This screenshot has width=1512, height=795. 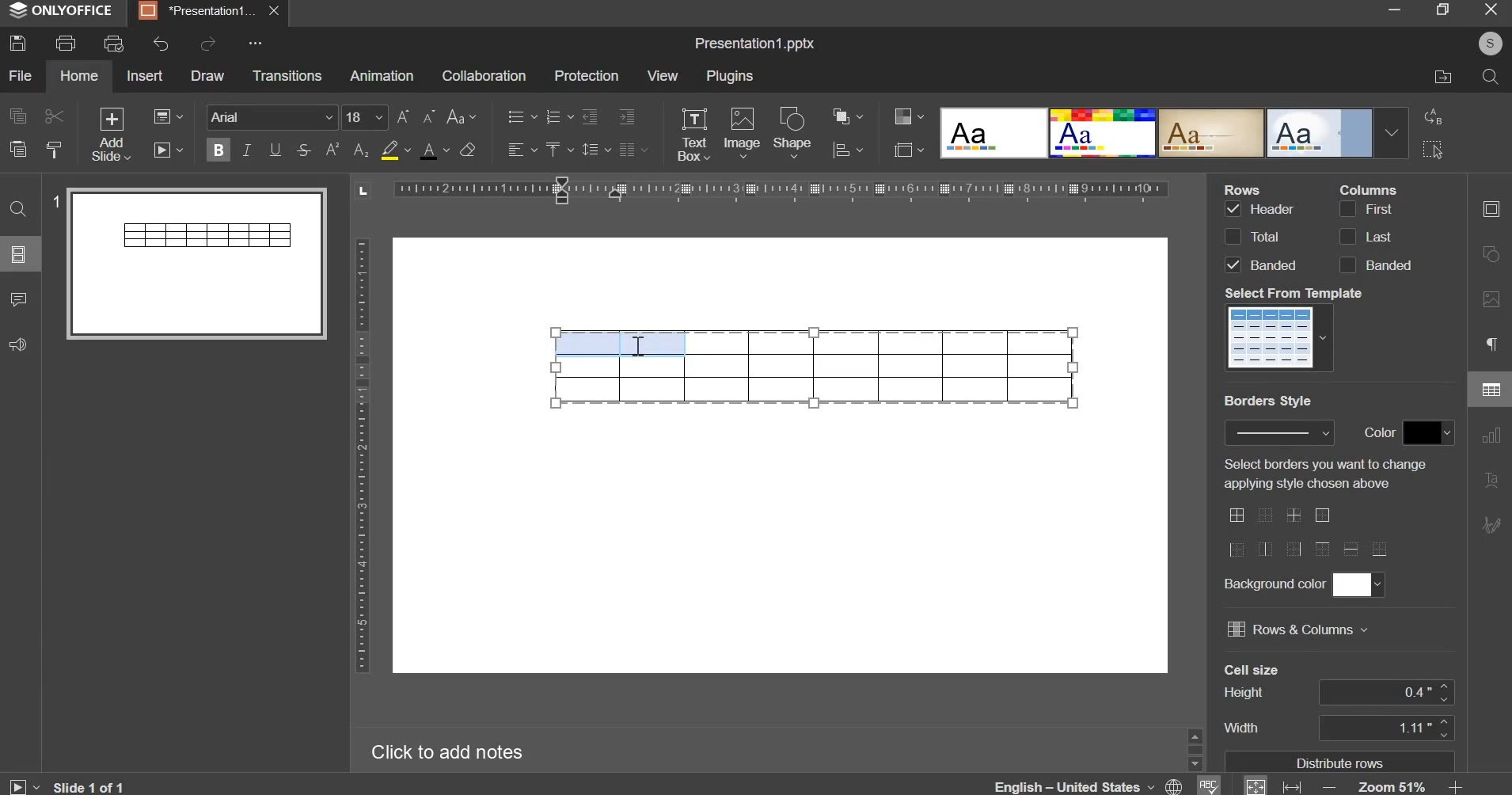 What do you see at coordinates (693, 135) in the screenshot?
I see `text box` at bounding box center [693, 135].